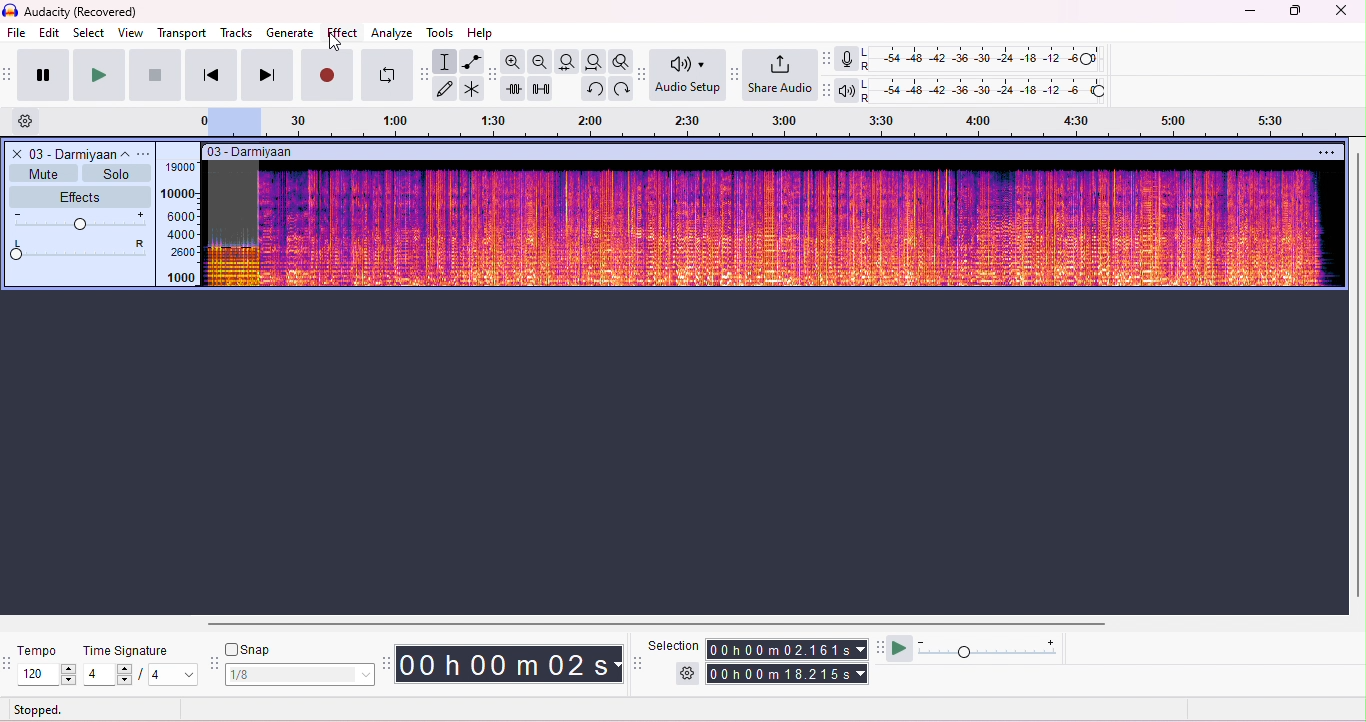 The width and height of the screenshot is (1366, 722). I want to click on multi, so click(473, 89).